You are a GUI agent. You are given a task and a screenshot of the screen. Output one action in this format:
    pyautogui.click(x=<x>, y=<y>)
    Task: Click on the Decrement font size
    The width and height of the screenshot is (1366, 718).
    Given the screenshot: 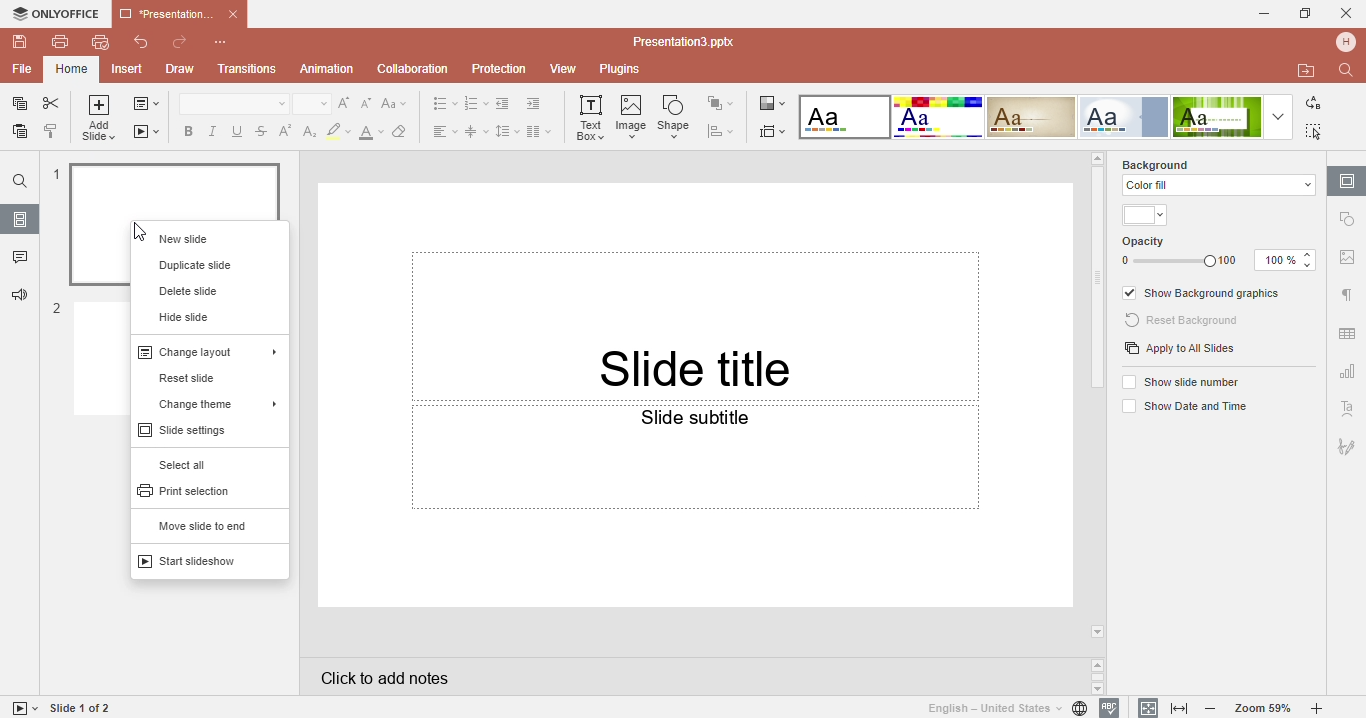 What is the action you would take?
    pyautogui.click(x=368, y=103)
    